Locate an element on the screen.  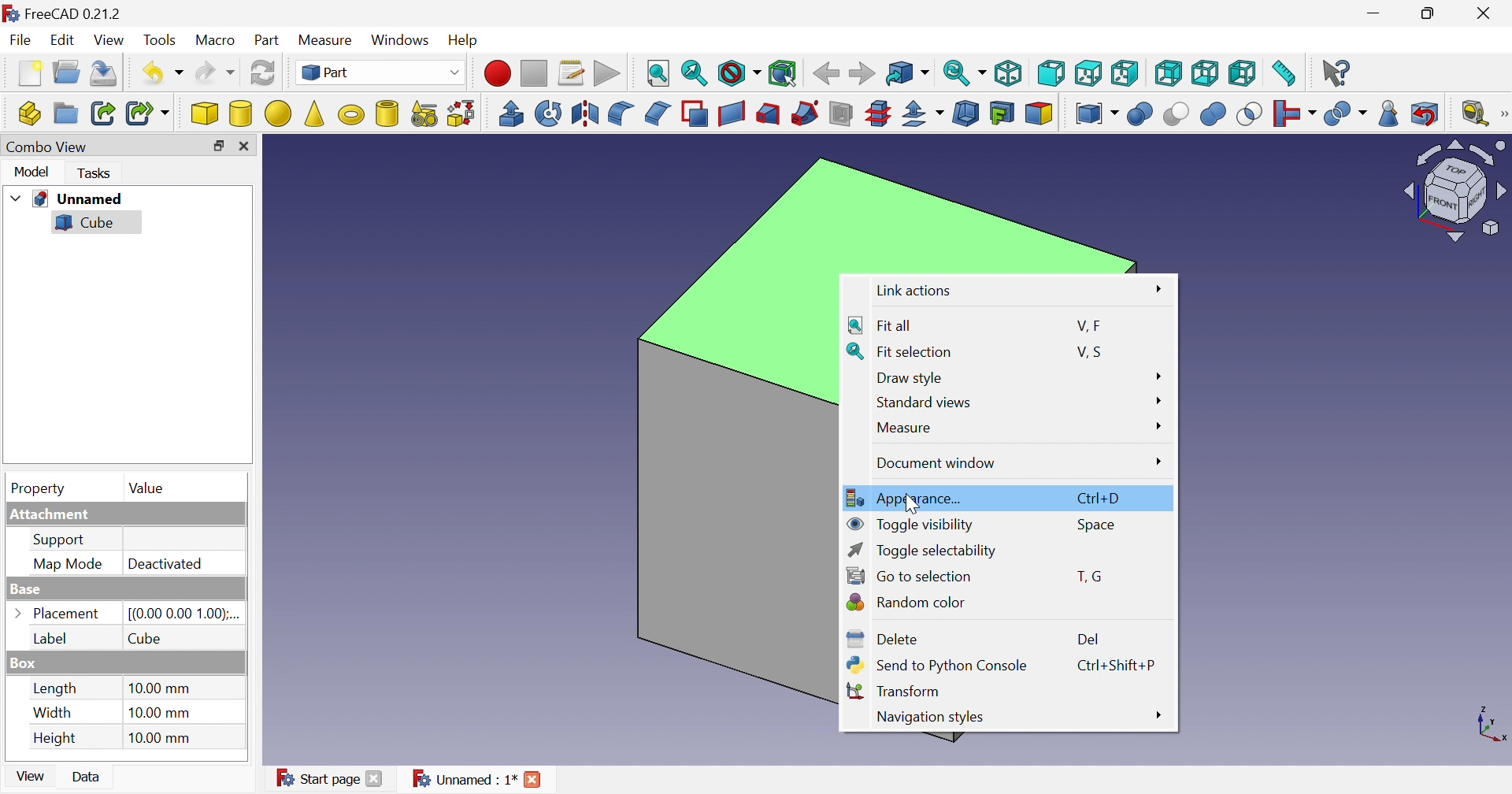
Del is located at coordinates (1087, 638).